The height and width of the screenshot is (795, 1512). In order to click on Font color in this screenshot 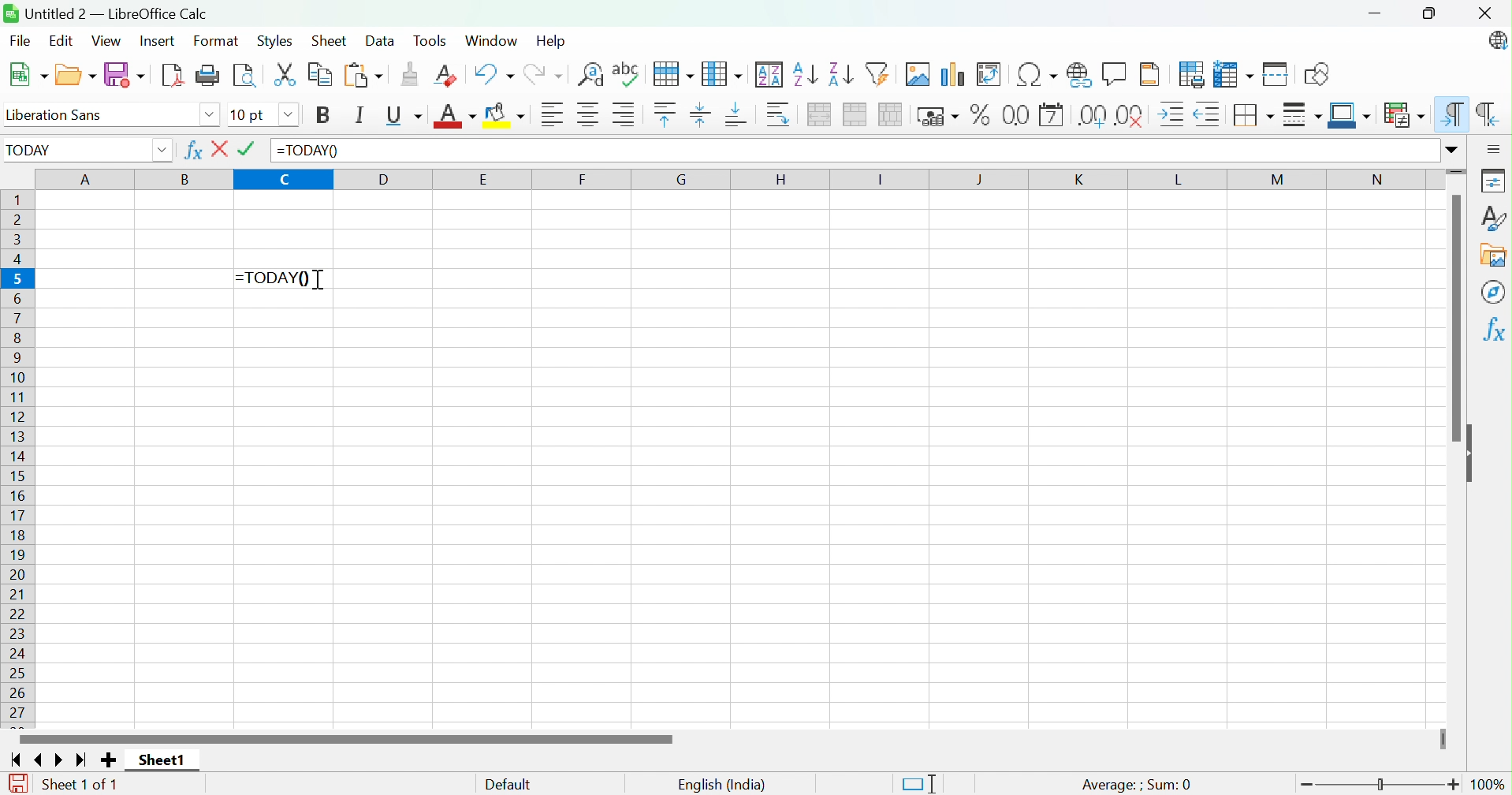, I will do `click(456, 118)`.